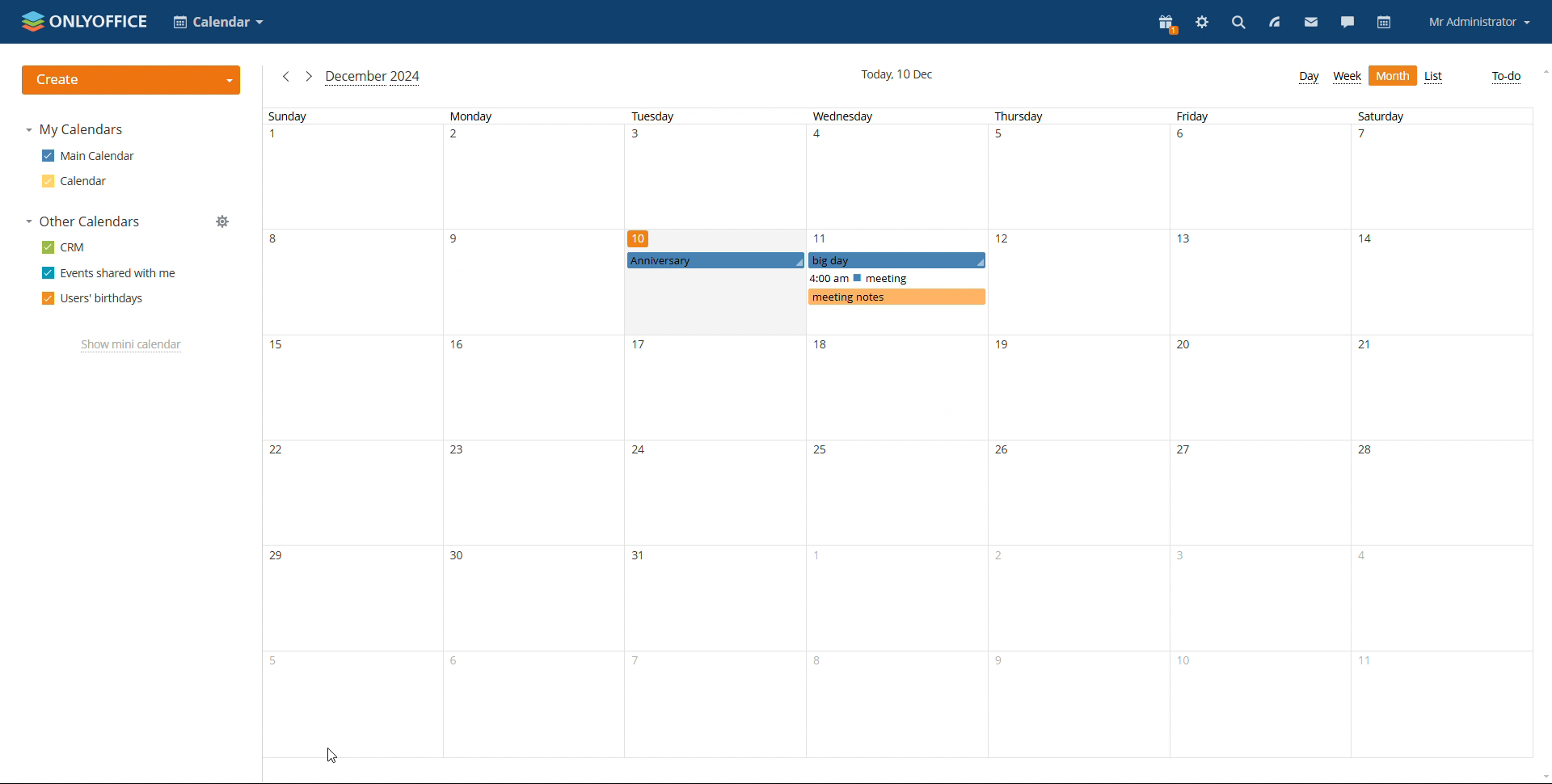 The height and width of the screenshot is (784, 1552). I want to click on monday, so click(533, 432).